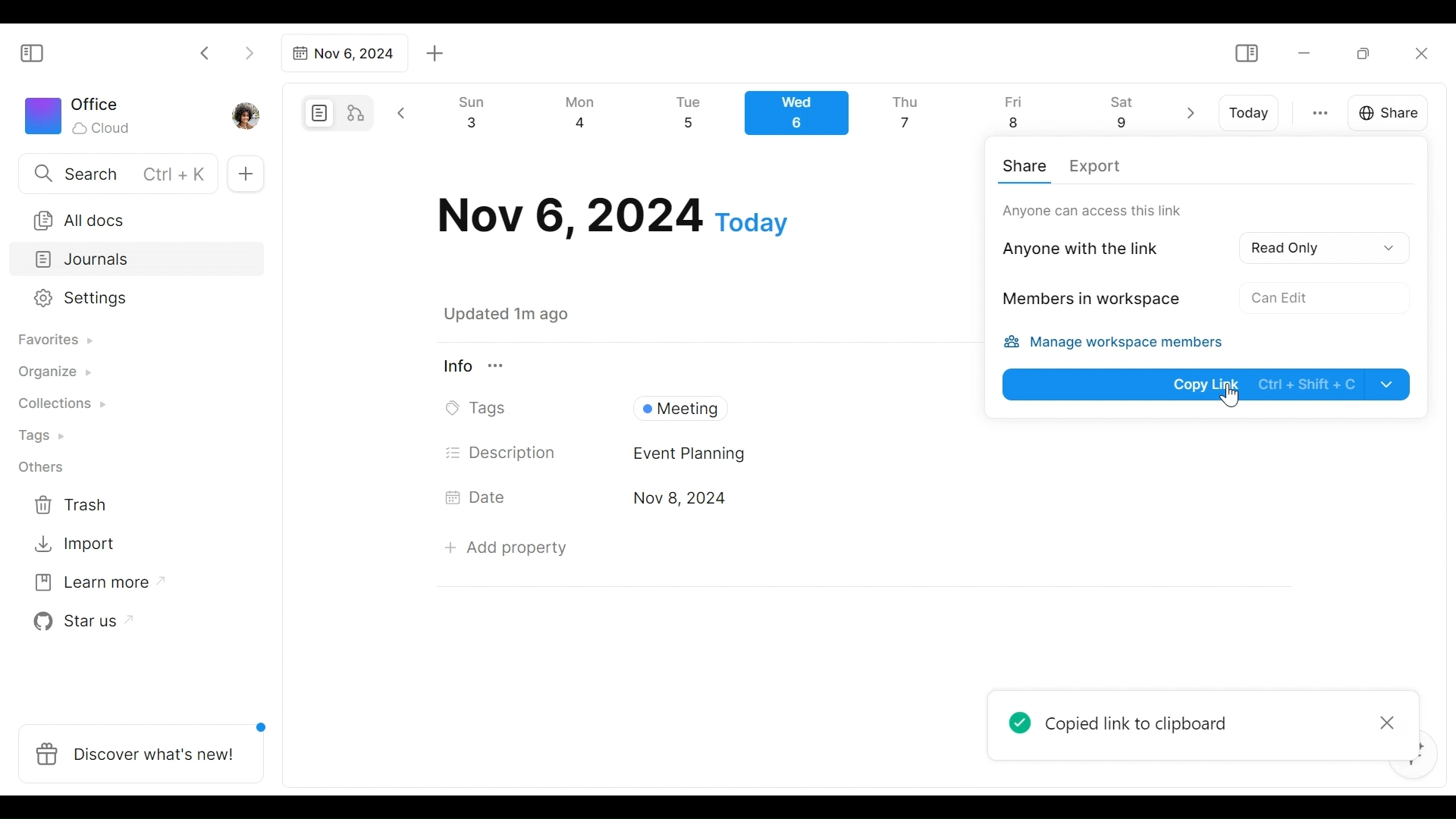 This screenshot has height=819, width=1456. Describe the element at coordinates (342, 53) in the screenshot. I see `Tab` at that location.